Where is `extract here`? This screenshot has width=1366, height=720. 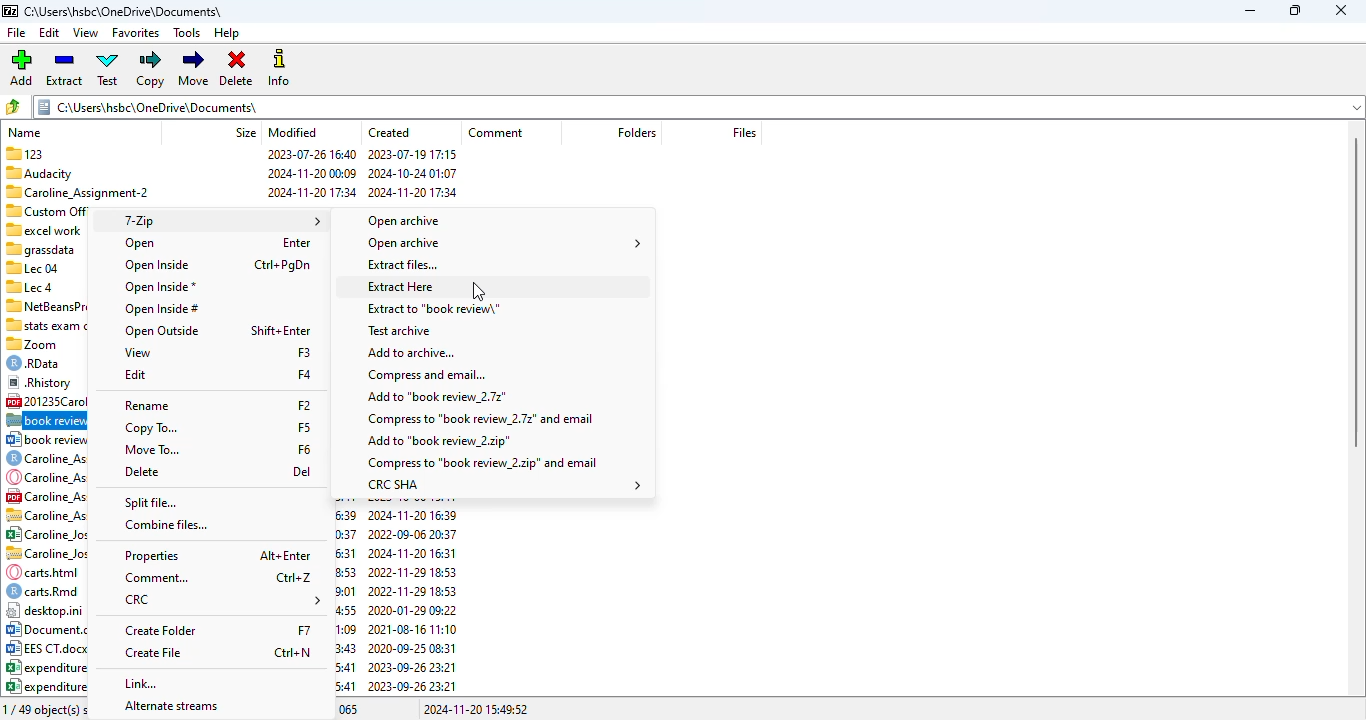
extract here is located at coordinates (402, 287).